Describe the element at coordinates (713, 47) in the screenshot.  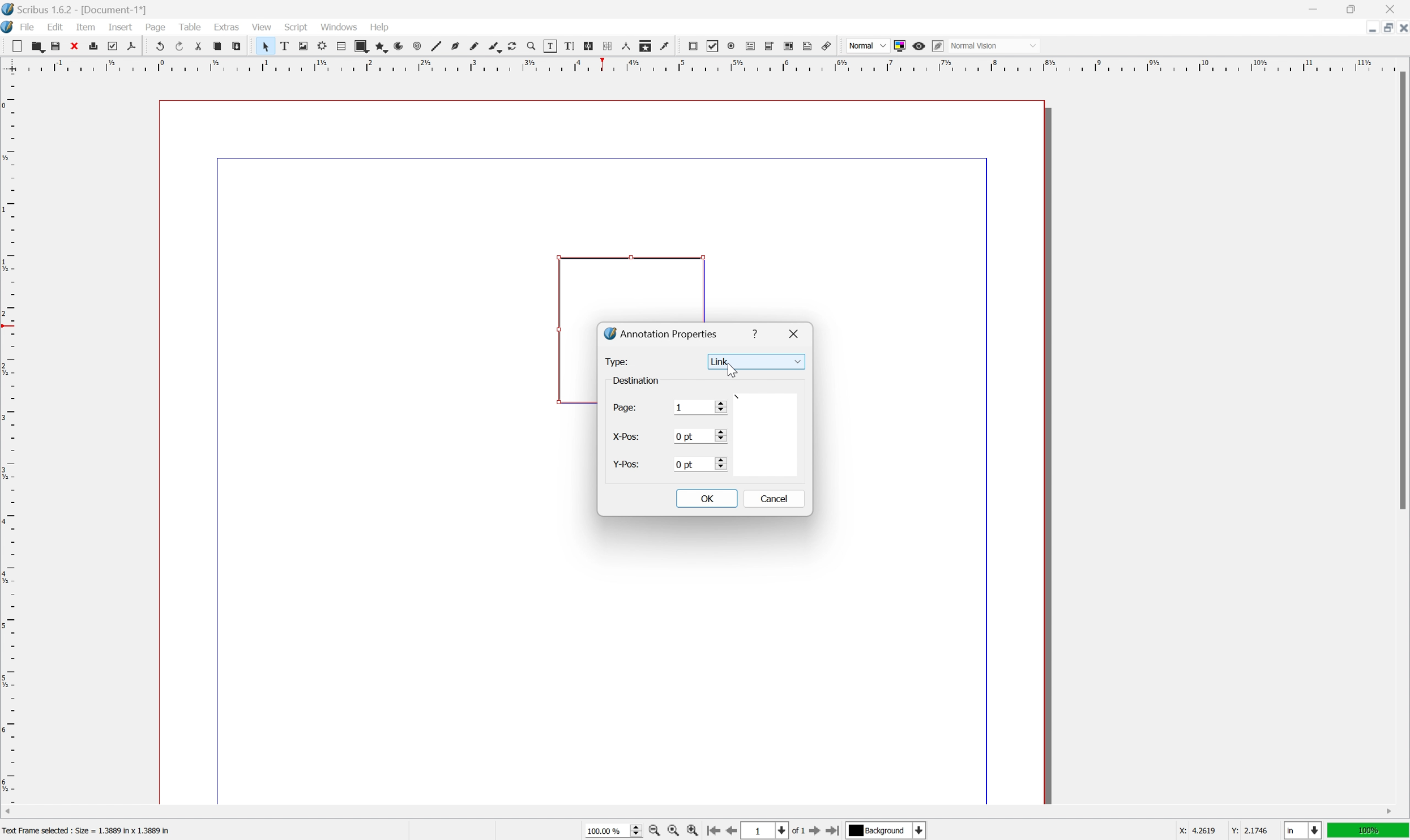
I see `pdf checkbox` at that location.